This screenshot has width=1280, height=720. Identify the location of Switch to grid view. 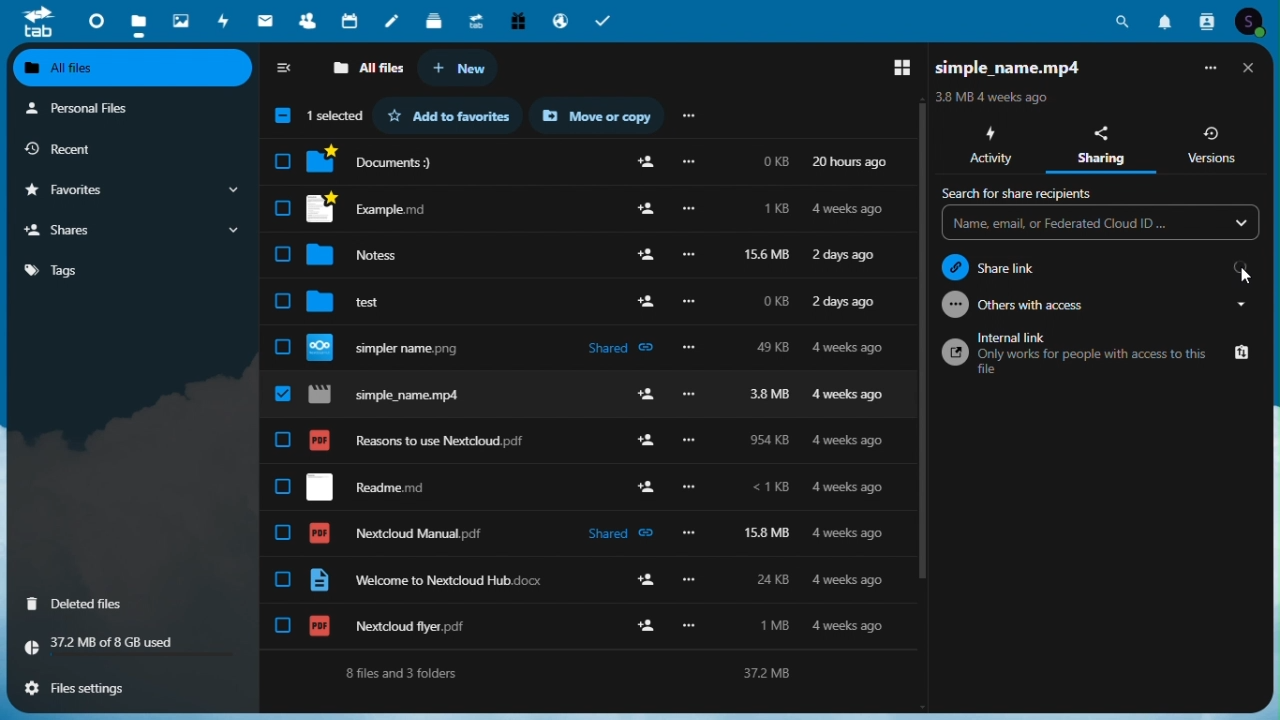
(894, 68).